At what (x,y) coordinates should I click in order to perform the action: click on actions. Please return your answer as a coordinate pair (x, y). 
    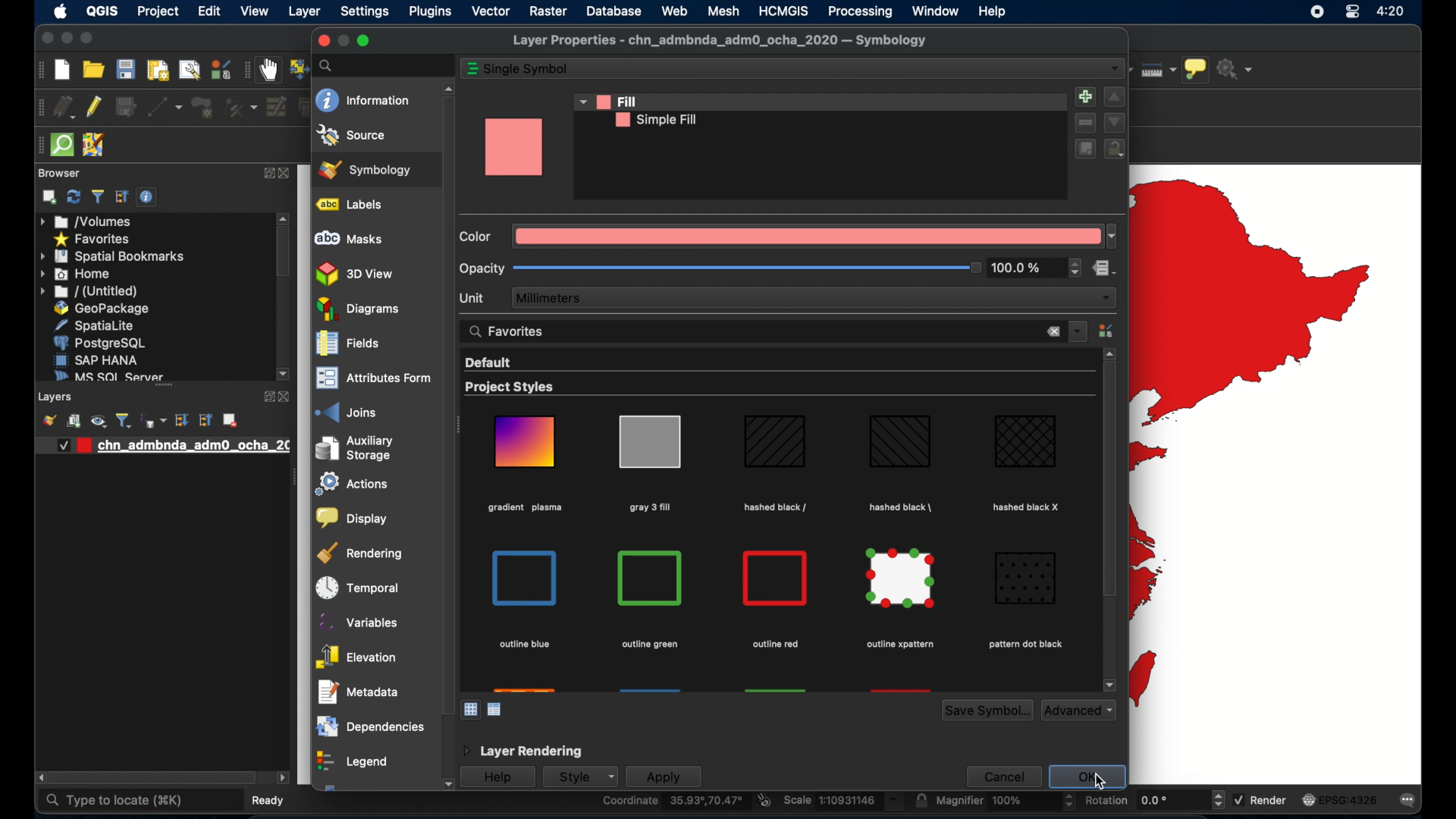
    Looking at the image, I should click on (348, 485).